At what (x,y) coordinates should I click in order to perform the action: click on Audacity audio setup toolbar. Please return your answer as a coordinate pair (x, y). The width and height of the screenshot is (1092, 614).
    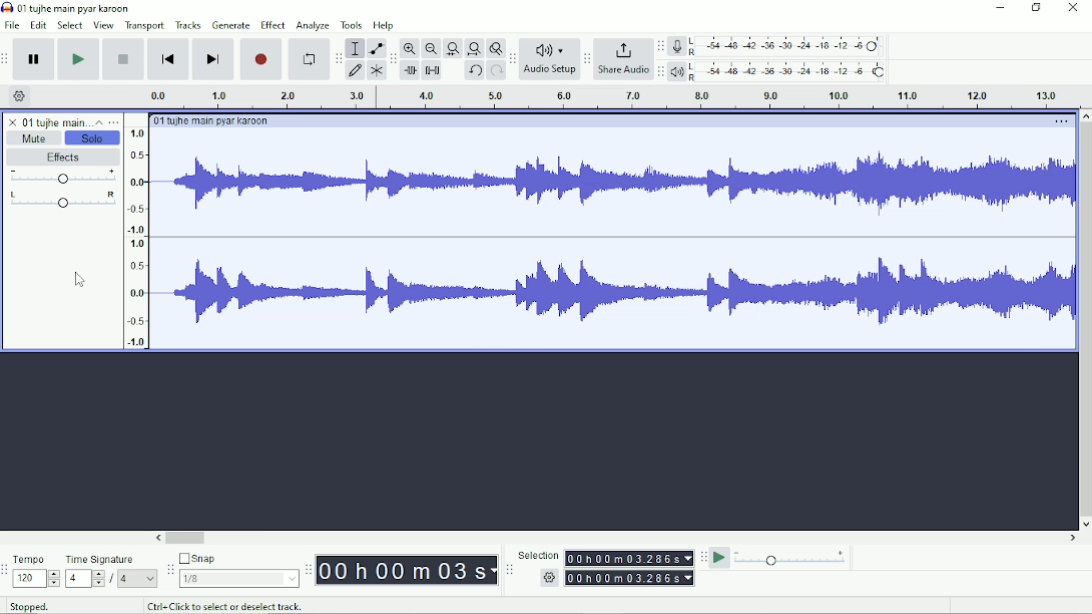
    Looking at the image, I should click on (511, 60).